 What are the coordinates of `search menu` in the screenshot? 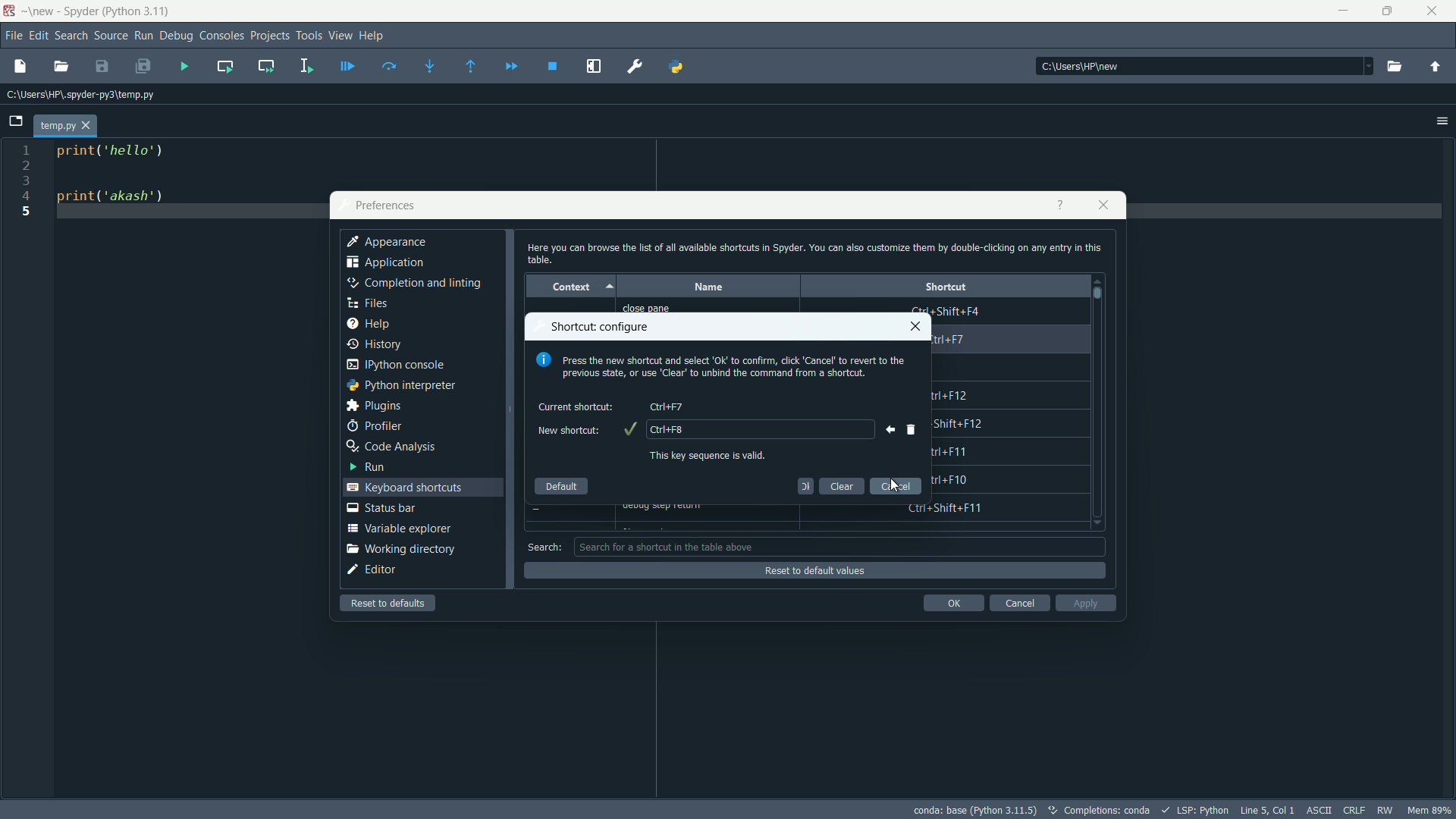 It's located at (72, 36).